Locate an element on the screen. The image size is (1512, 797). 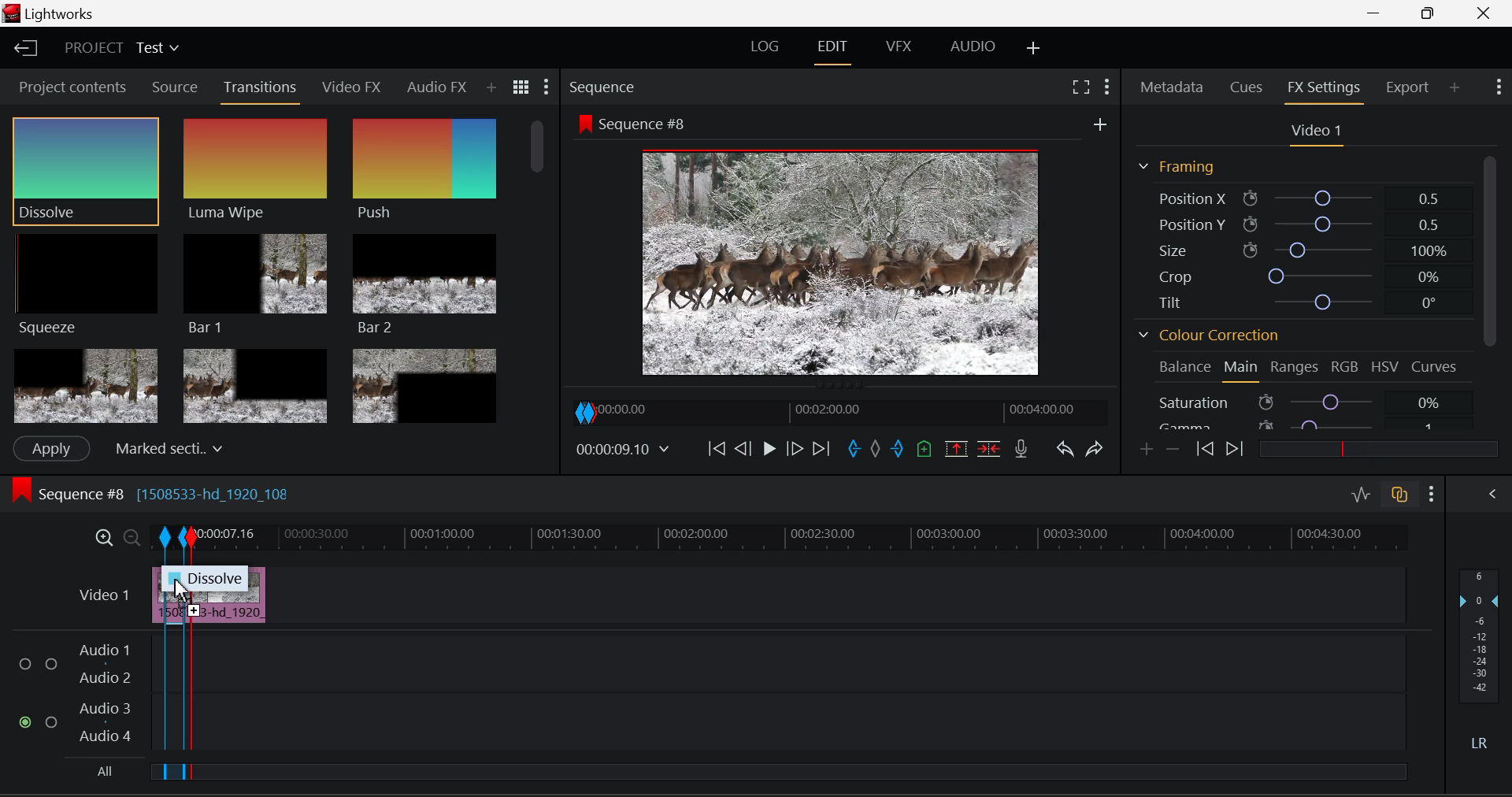
Show Audio Mix is located at coordinates (1493, 496).